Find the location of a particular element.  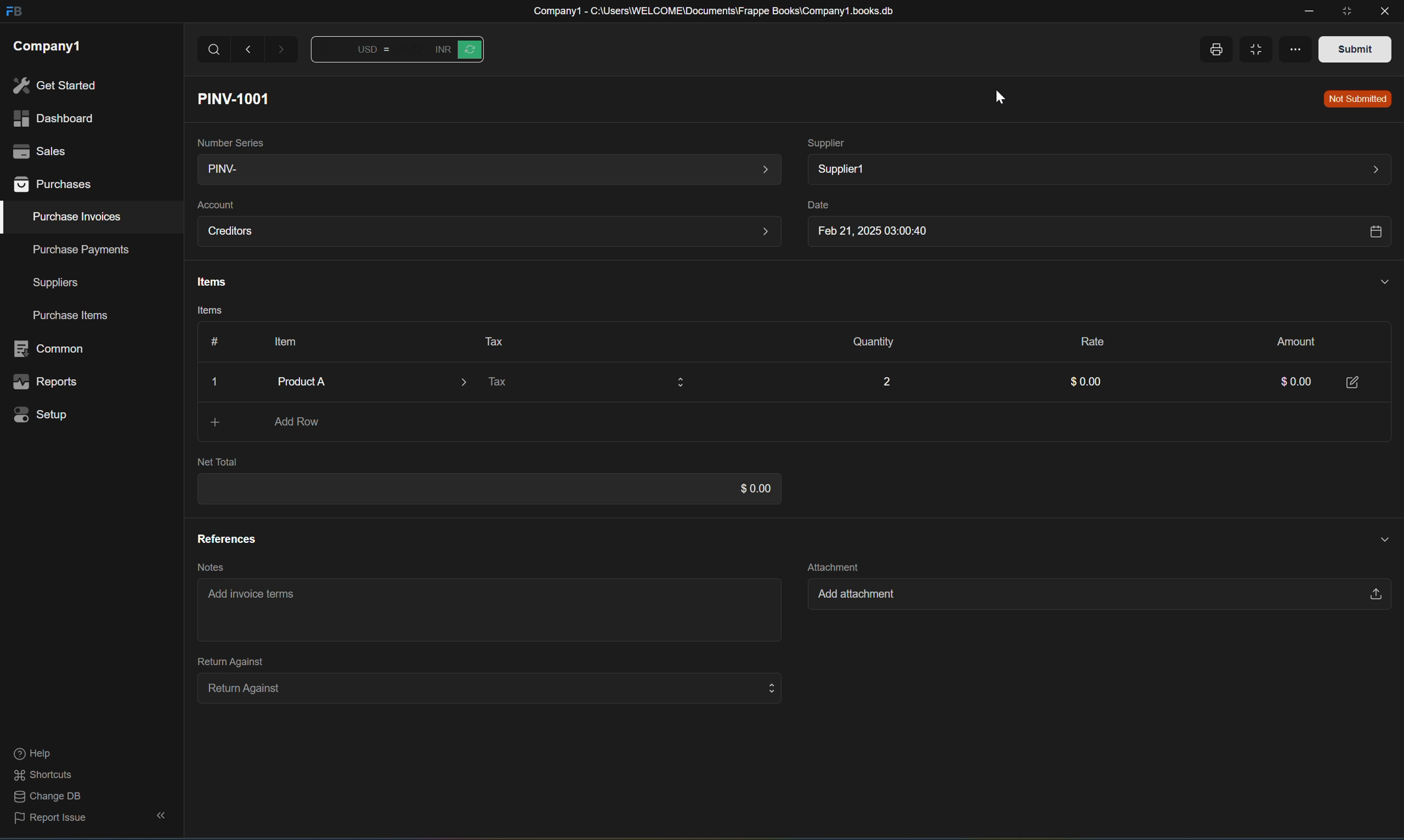

report issue is located at coordinates (51, 821).